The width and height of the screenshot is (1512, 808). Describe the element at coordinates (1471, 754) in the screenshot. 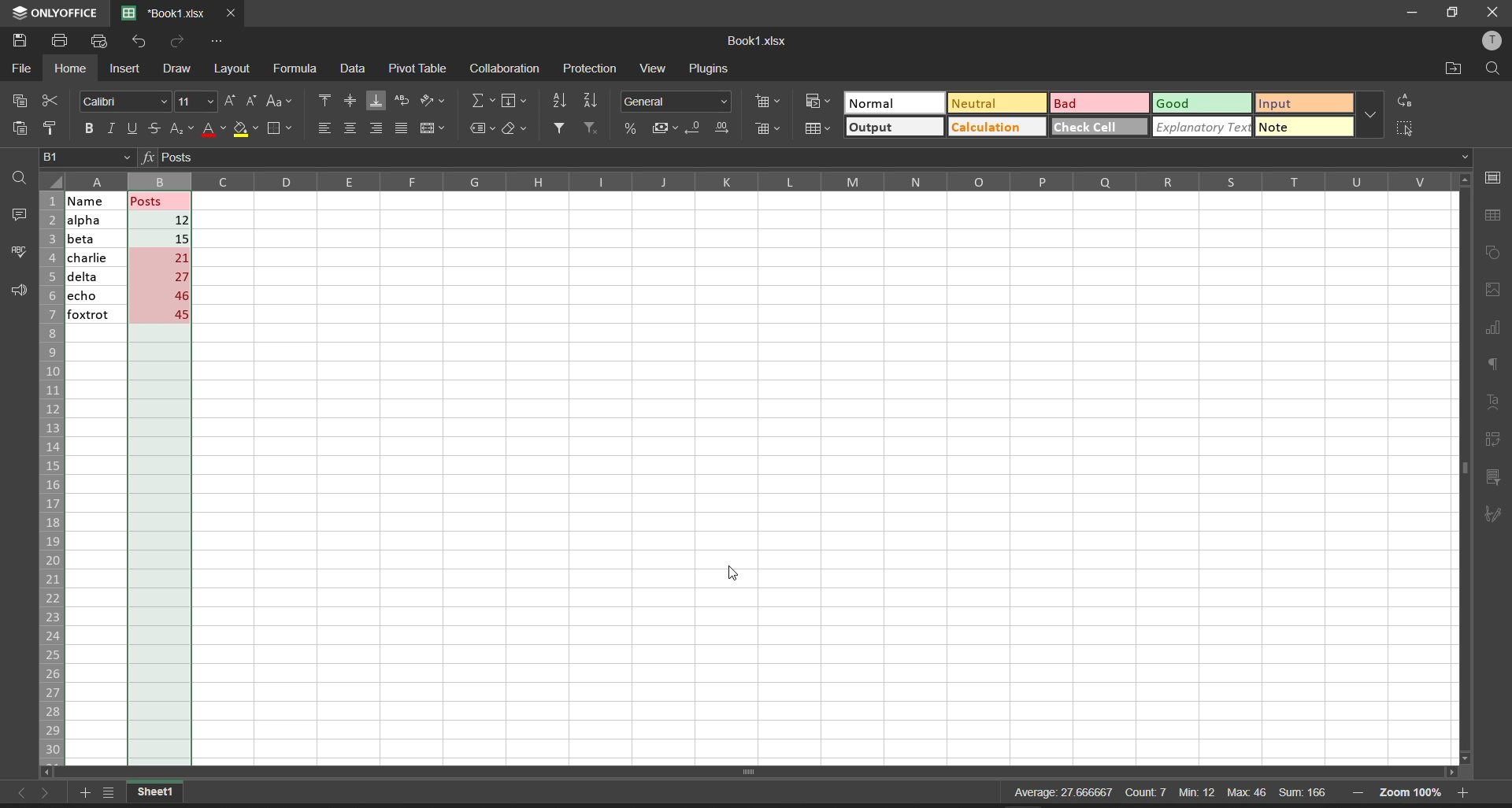

I see `scroll down` at that location.